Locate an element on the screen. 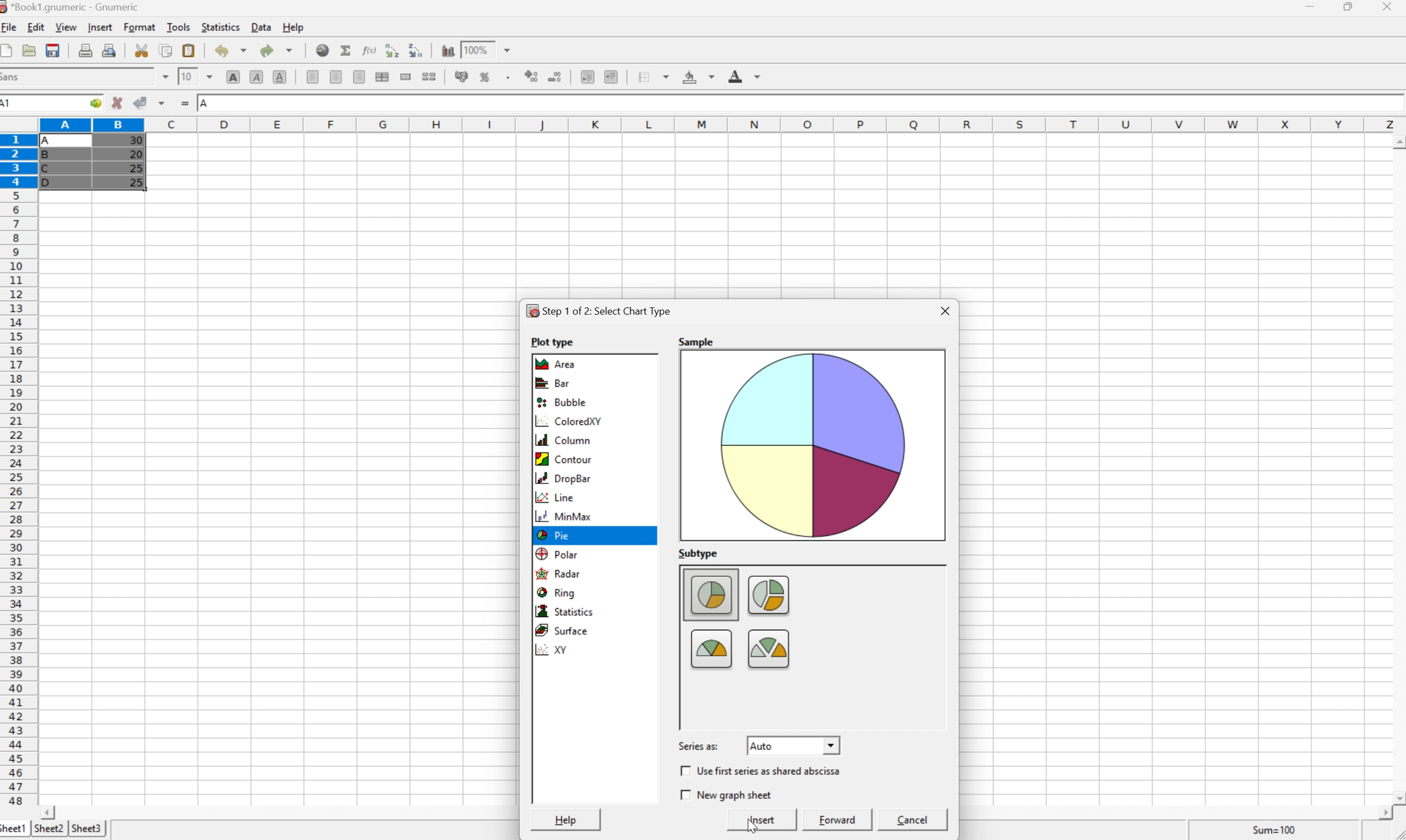 This screenshot has height=840, width=1406. Drop Down is located at coordinates (210, 76).